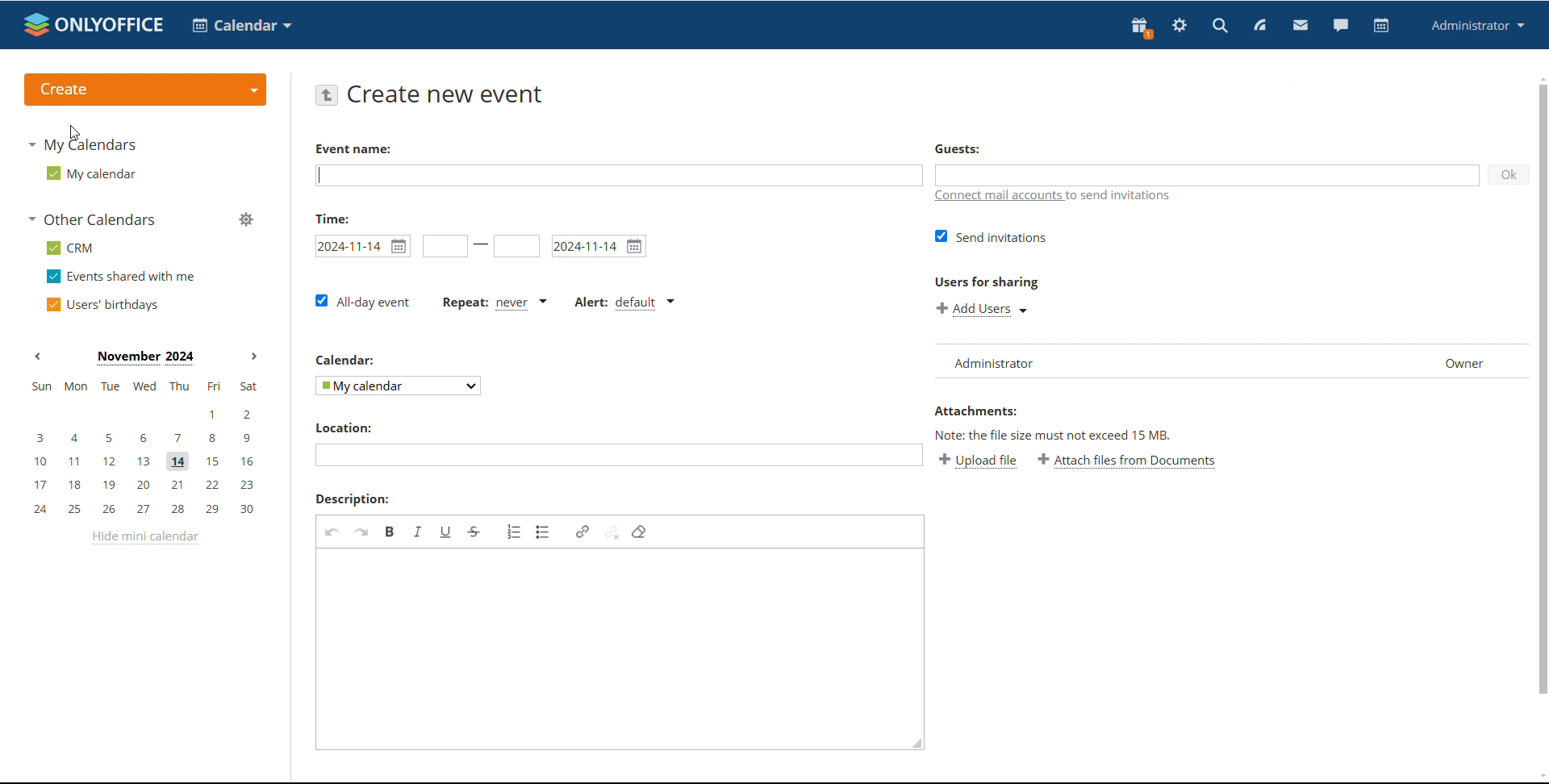 This screenshot has height=784, width=1549. Describe the element at coordinates (639, 532) in the screenshot. I see `remove format` at that location.